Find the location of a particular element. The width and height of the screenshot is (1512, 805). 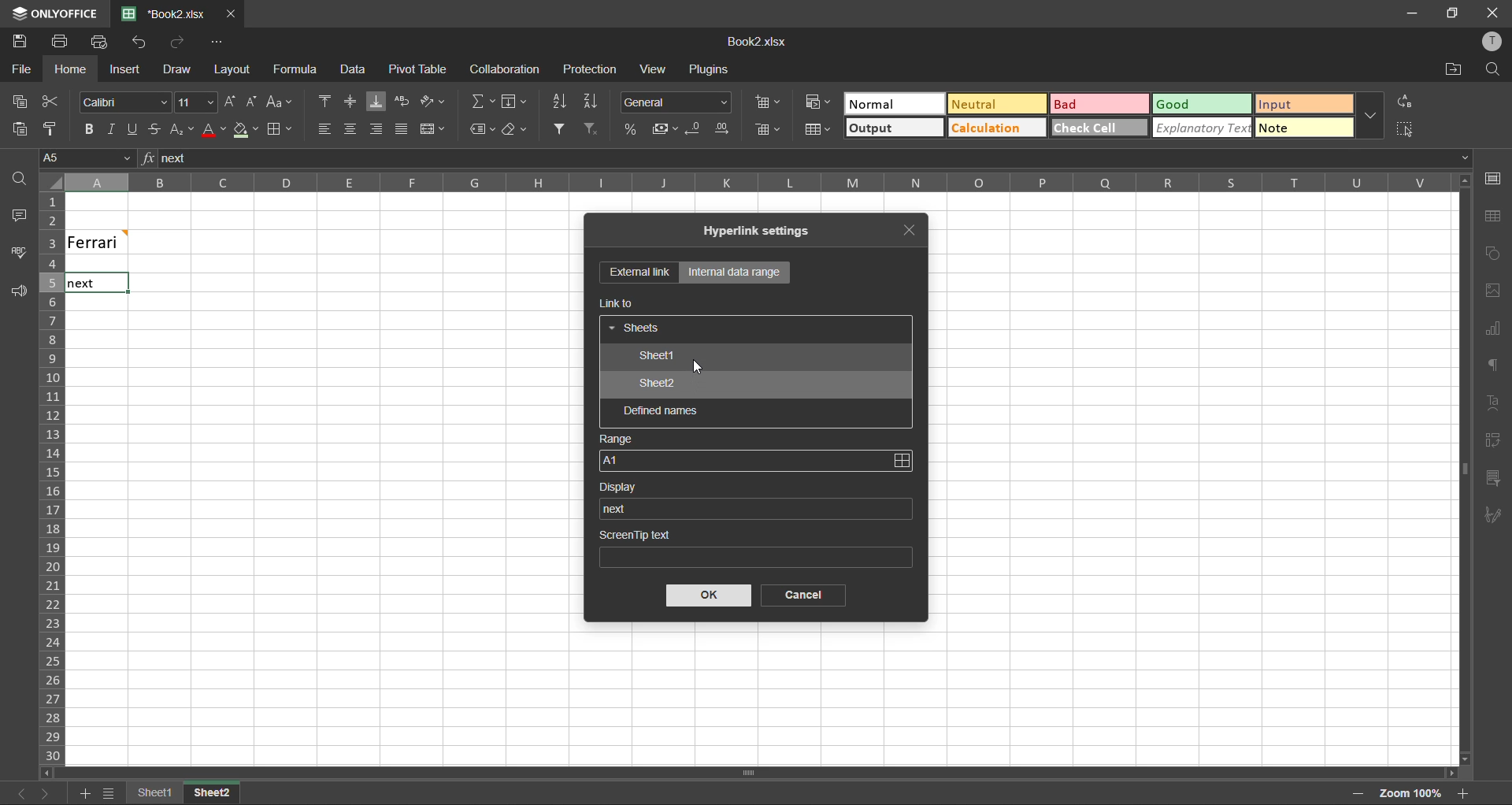

borders is located at coordinates (279, 130).